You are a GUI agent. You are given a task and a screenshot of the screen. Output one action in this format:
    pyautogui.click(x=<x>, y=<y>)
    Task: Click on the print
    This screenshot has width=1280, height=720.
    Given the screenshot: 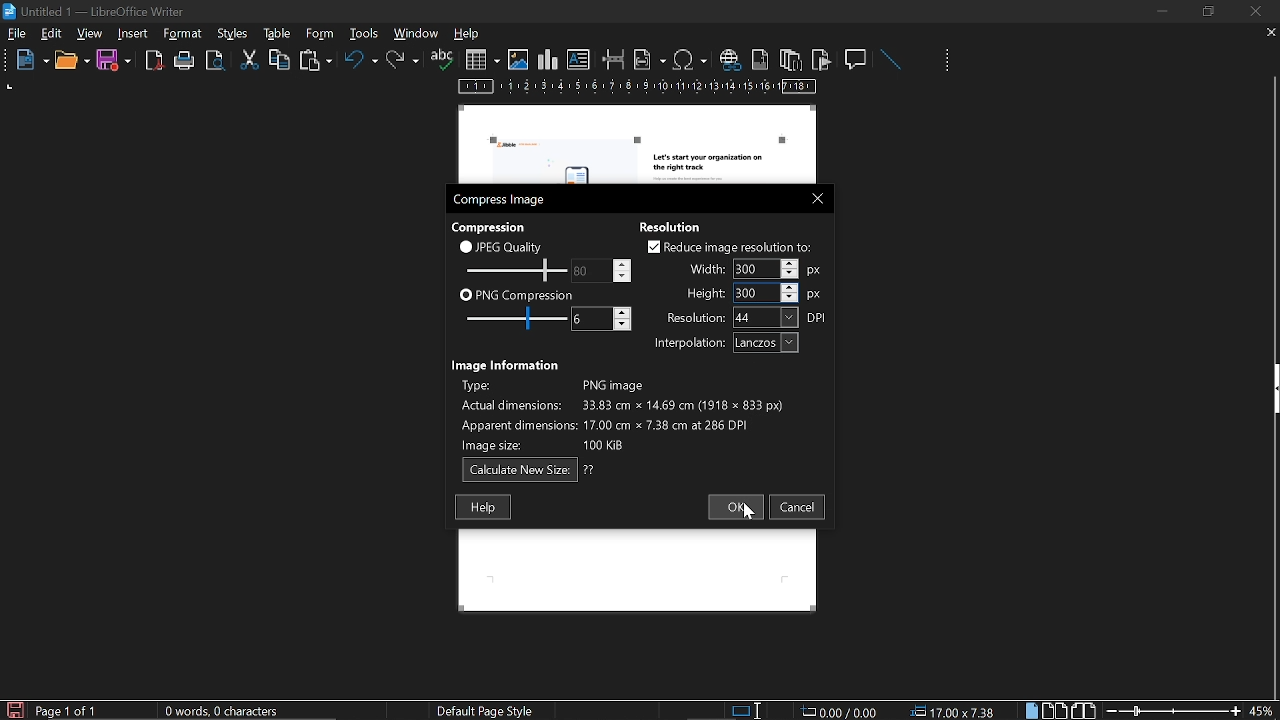 What is the action you would take?
    pyautogui.click(x=185, y=61)
    